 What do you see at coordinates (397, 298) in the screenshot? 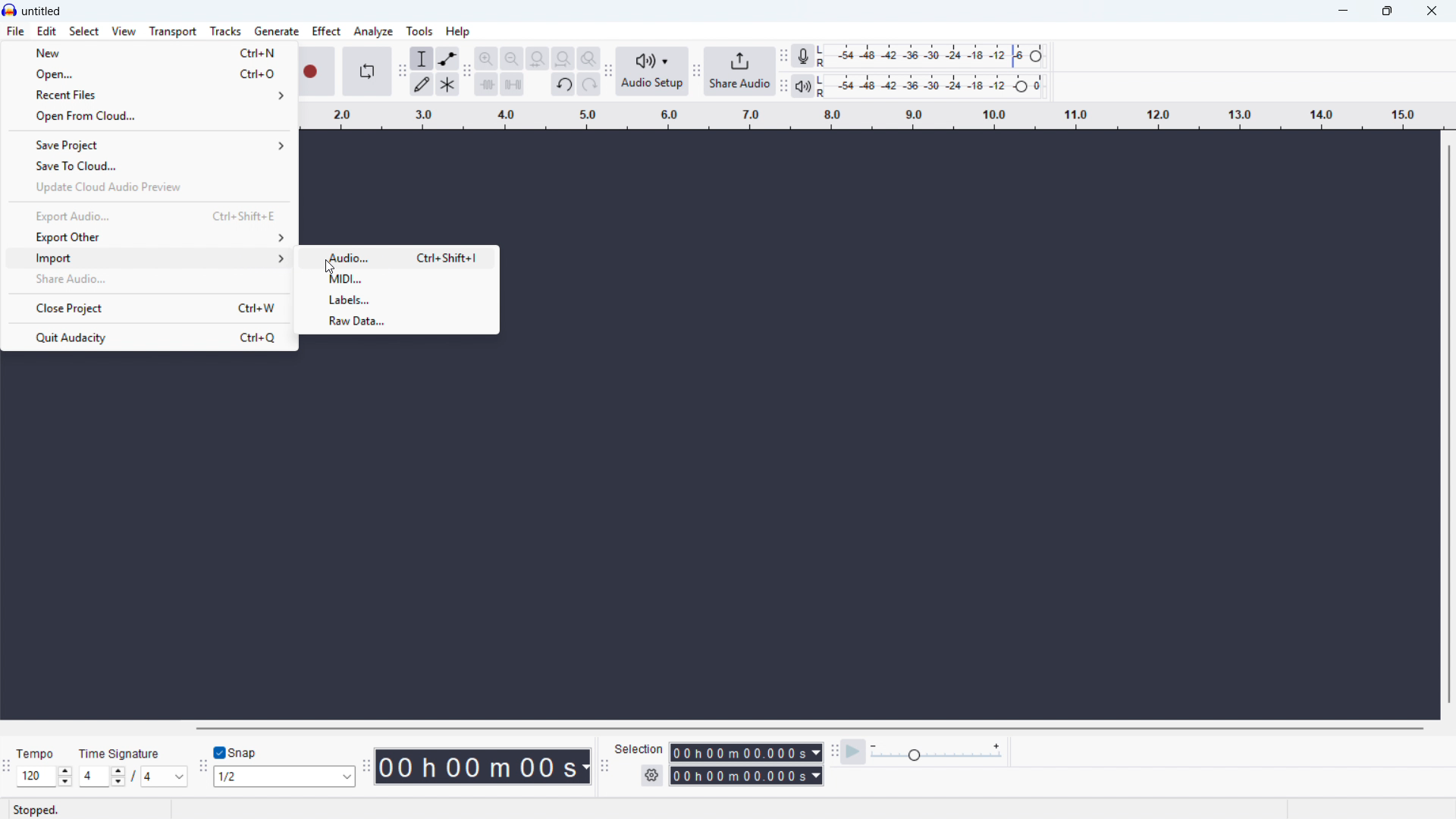
I see `Labels ` at bounding box center [397, 298].